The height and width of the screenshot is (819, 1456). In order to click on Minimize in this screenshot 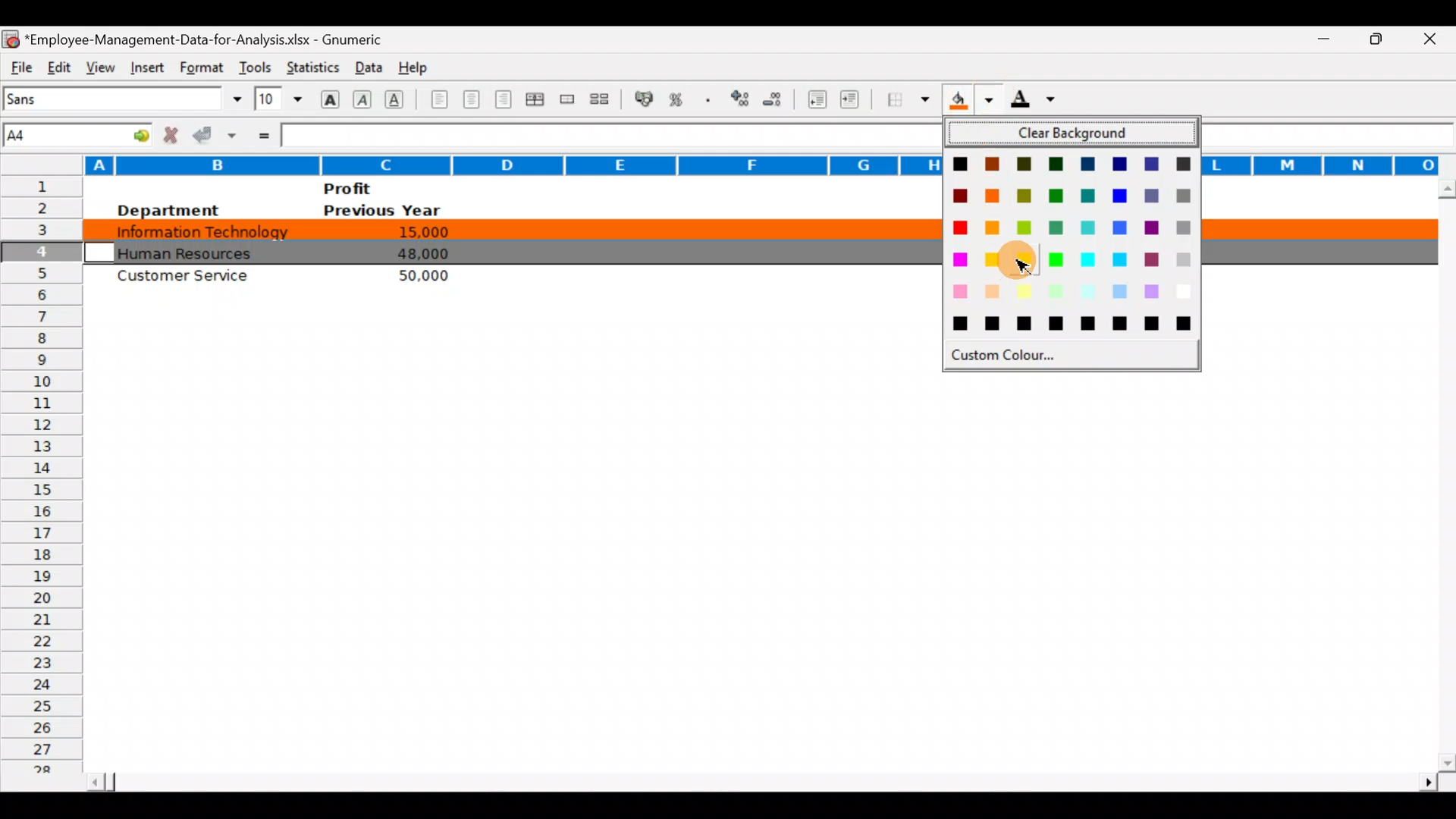, I will do `click(1315, 39)`.